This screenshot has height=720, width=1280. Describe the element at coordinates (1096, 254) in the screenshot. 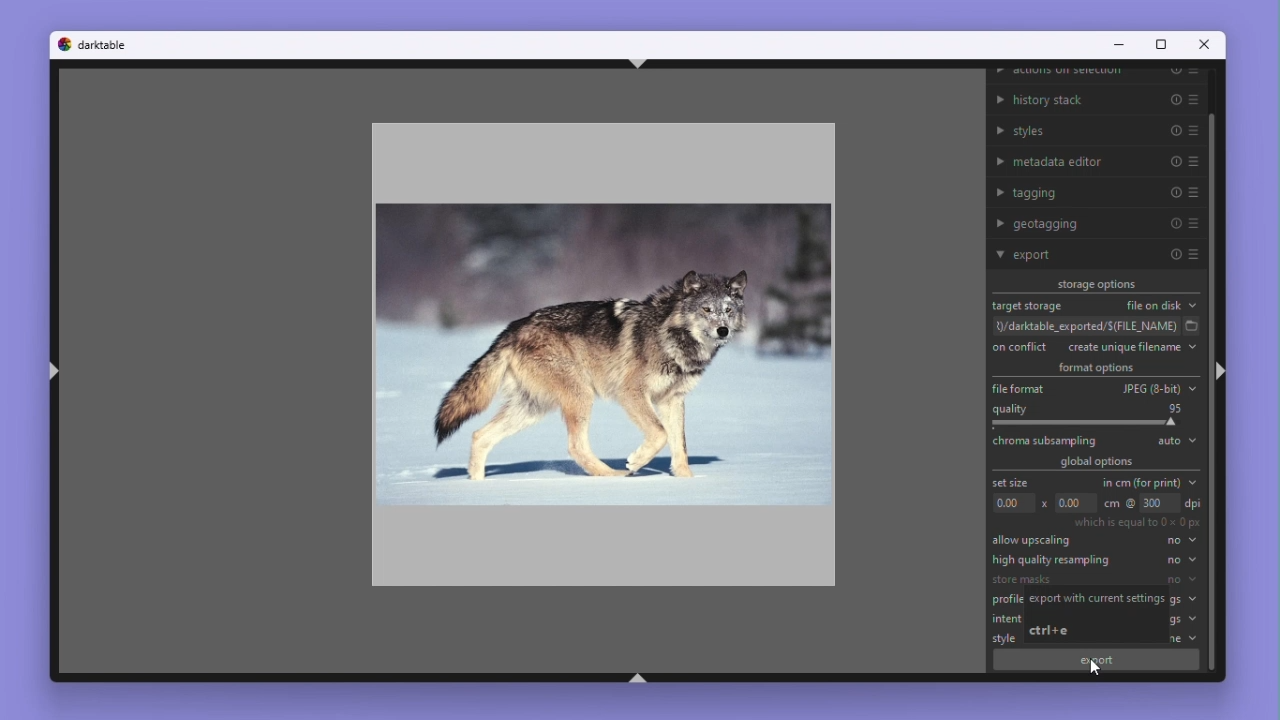

I see `Export` at that location.